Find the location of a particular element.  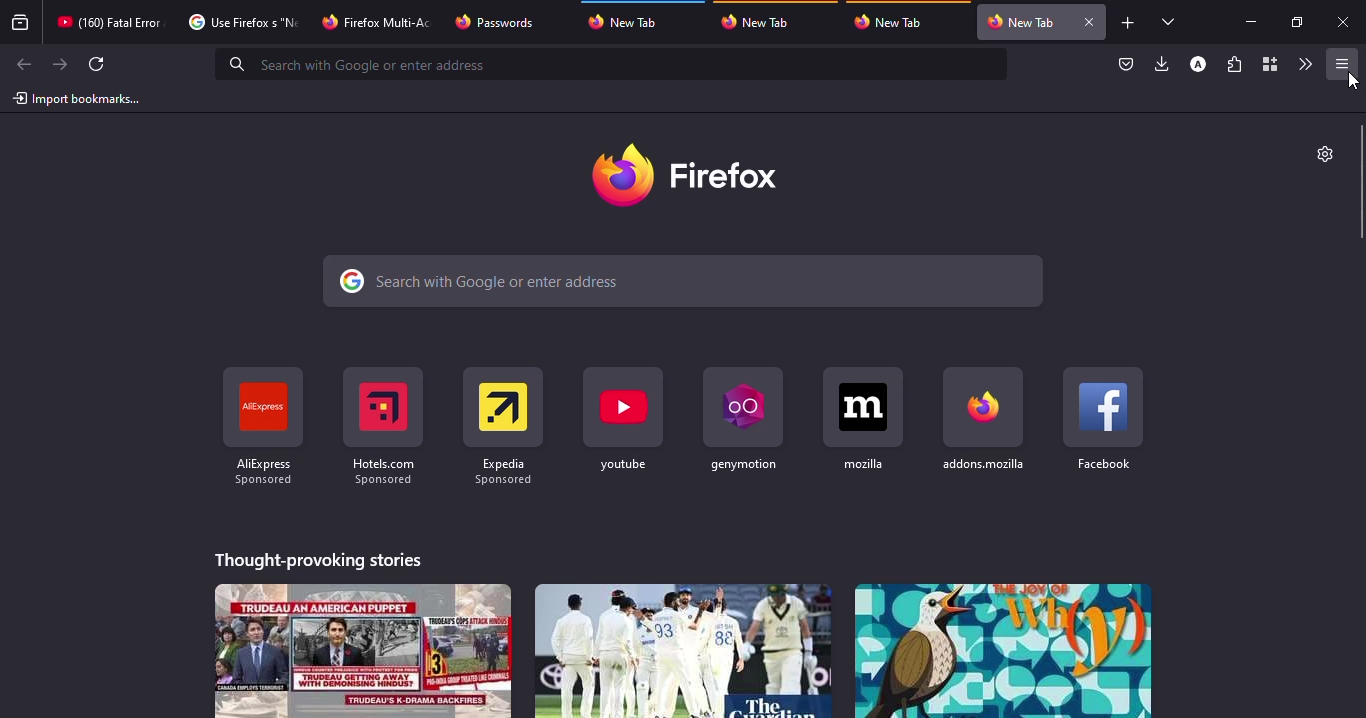

stories is located at coordinates (320, 557).